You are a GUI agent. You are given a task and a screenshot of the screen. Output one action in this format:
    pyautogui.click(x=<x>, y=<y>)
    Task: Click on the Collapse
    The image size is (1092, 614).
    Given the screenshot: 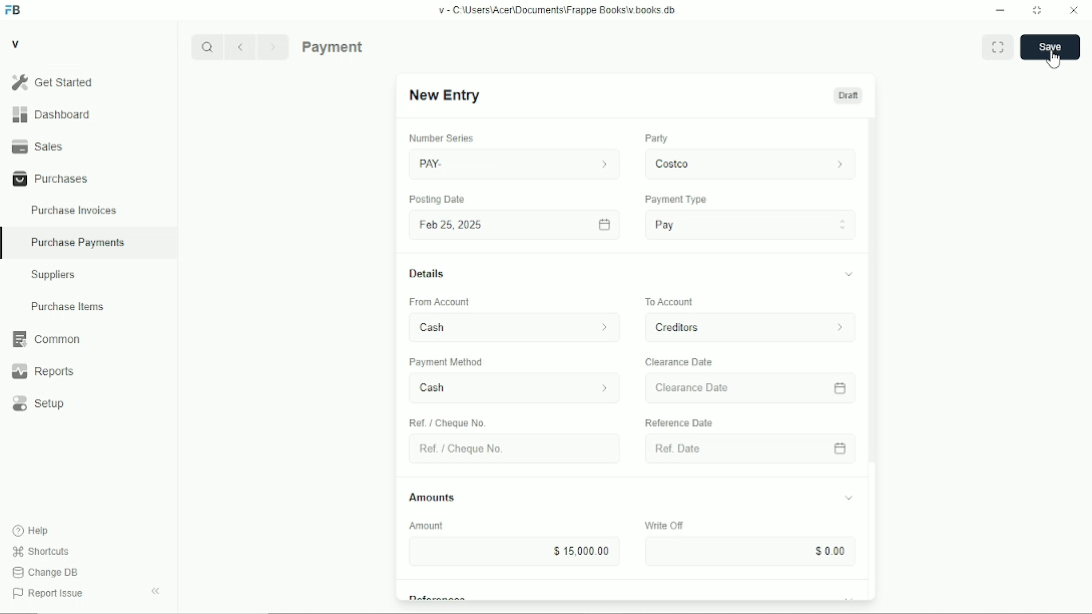 What is the action you would take?
    pyautogui.click(x=155, y=591)
    